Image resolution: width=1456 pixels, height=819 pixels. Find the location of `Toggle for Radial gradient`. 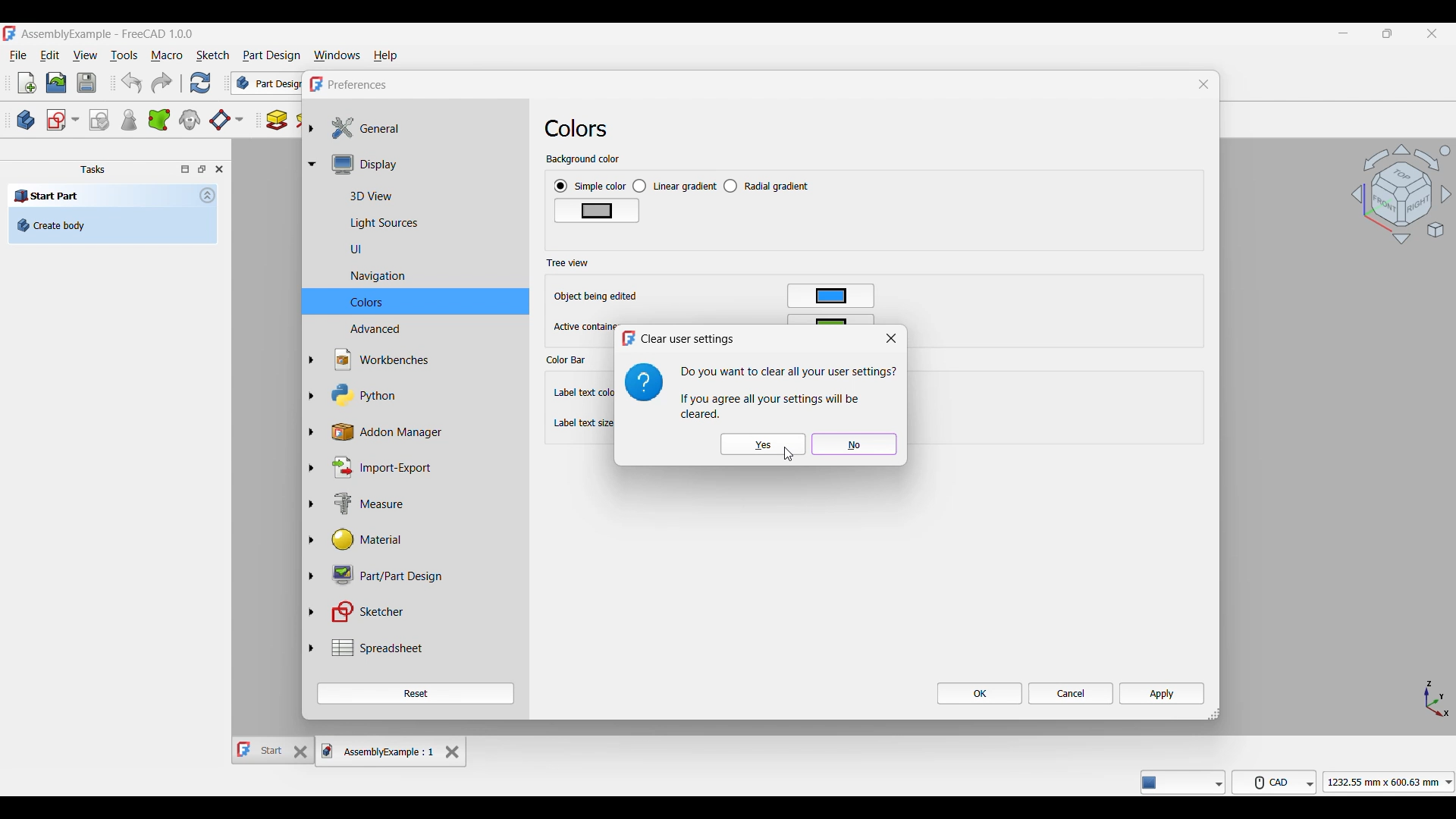

Toggle for Radial gradient is located at coordinates (767, 186).